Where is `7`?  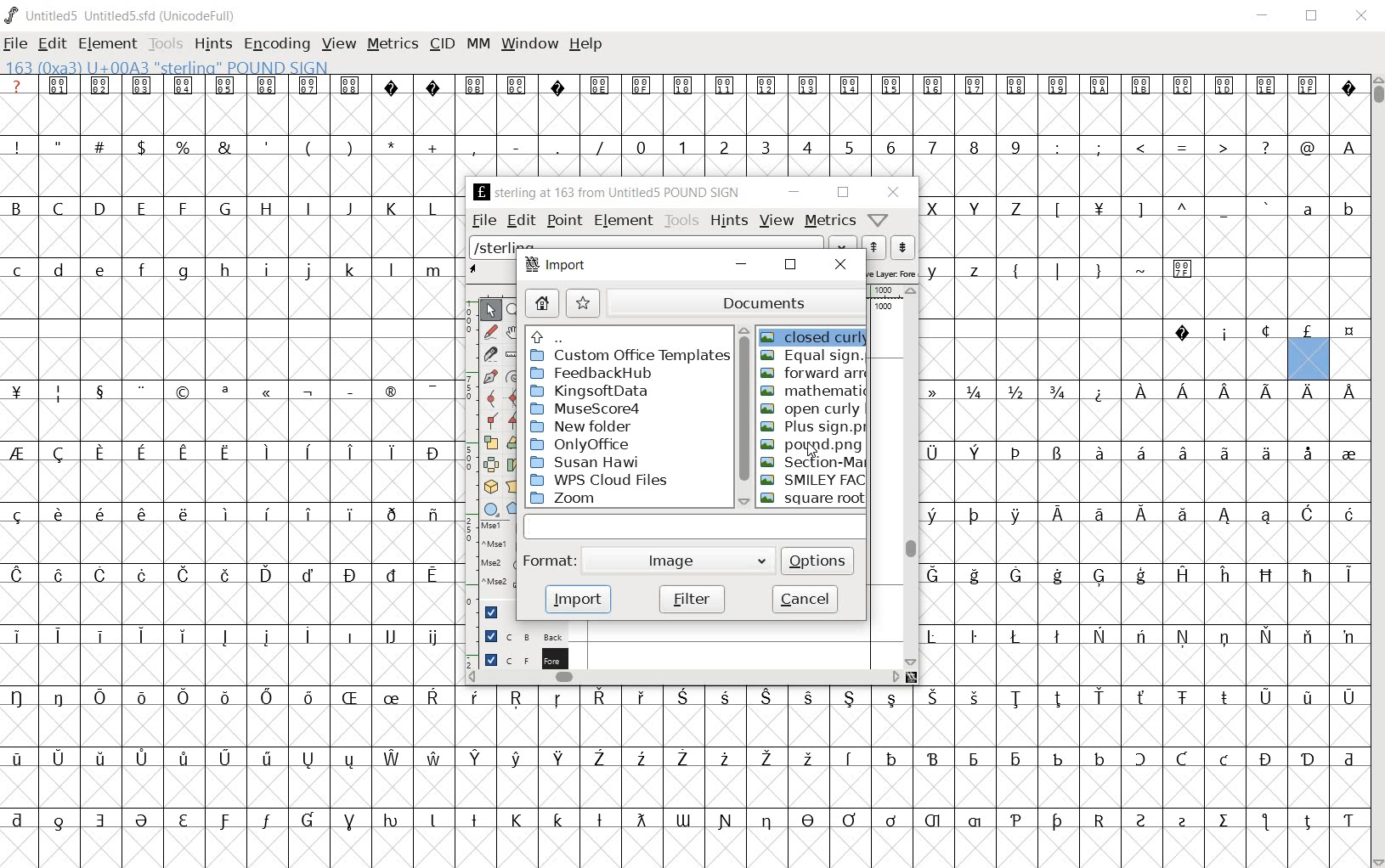
7 is located at coordinates (932, 148).